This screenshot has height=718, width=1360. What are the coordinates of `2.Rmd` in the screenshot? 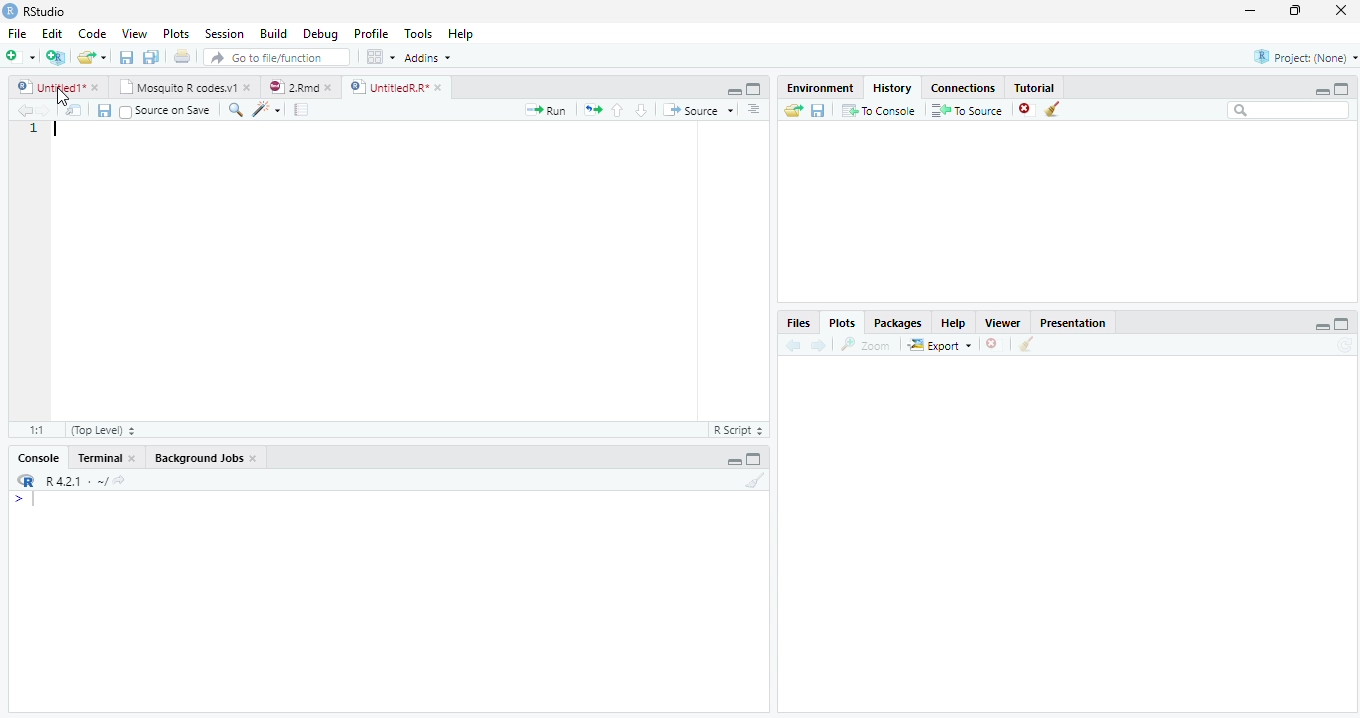 It's located at (300, 89).